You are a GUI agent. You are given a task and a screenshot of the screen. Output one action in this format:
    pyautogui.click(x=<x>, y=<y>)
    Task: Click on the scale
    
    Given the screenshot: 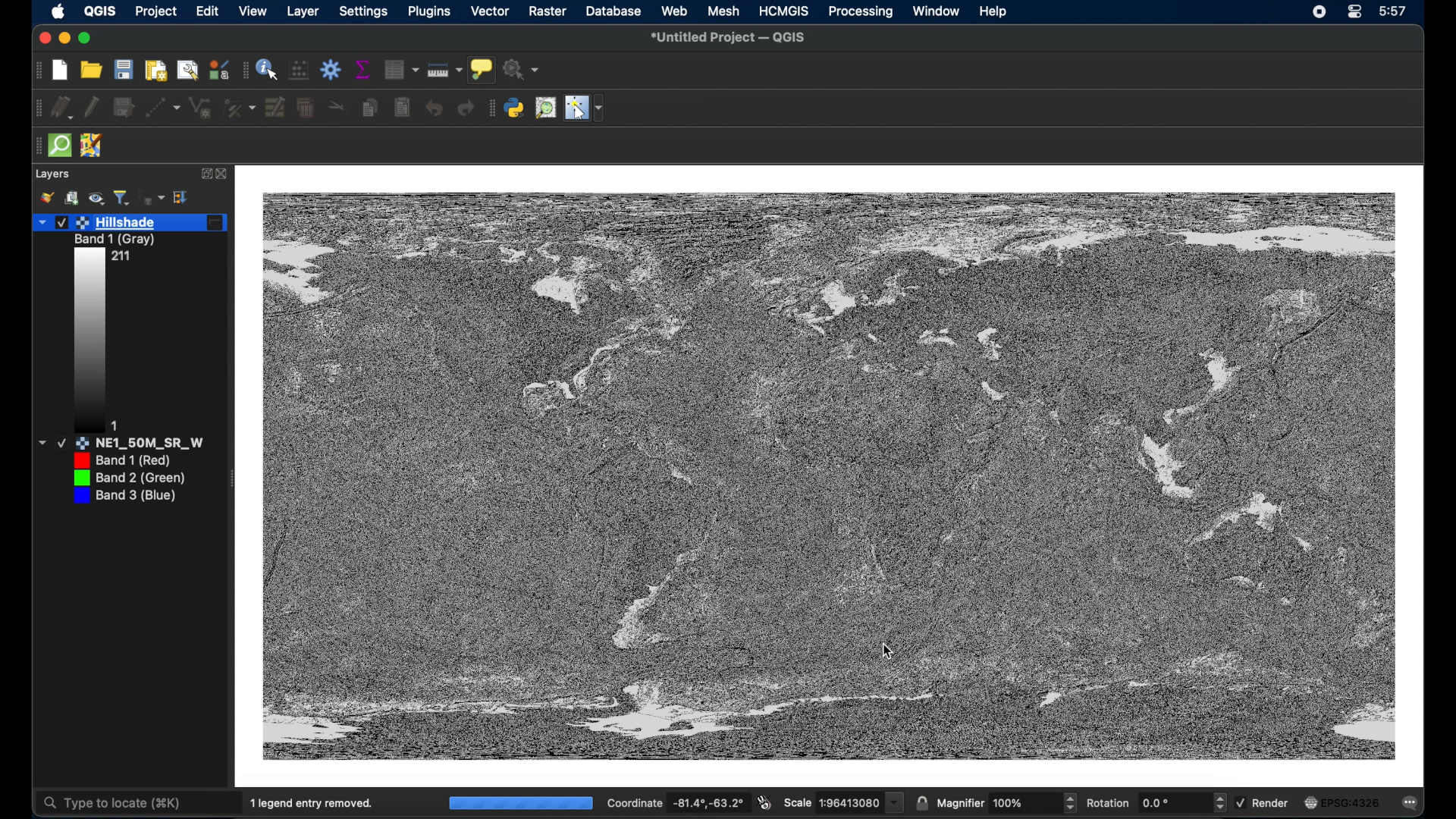 What is the action you would take?
    pyautogui.click(x=843, y=802)
    